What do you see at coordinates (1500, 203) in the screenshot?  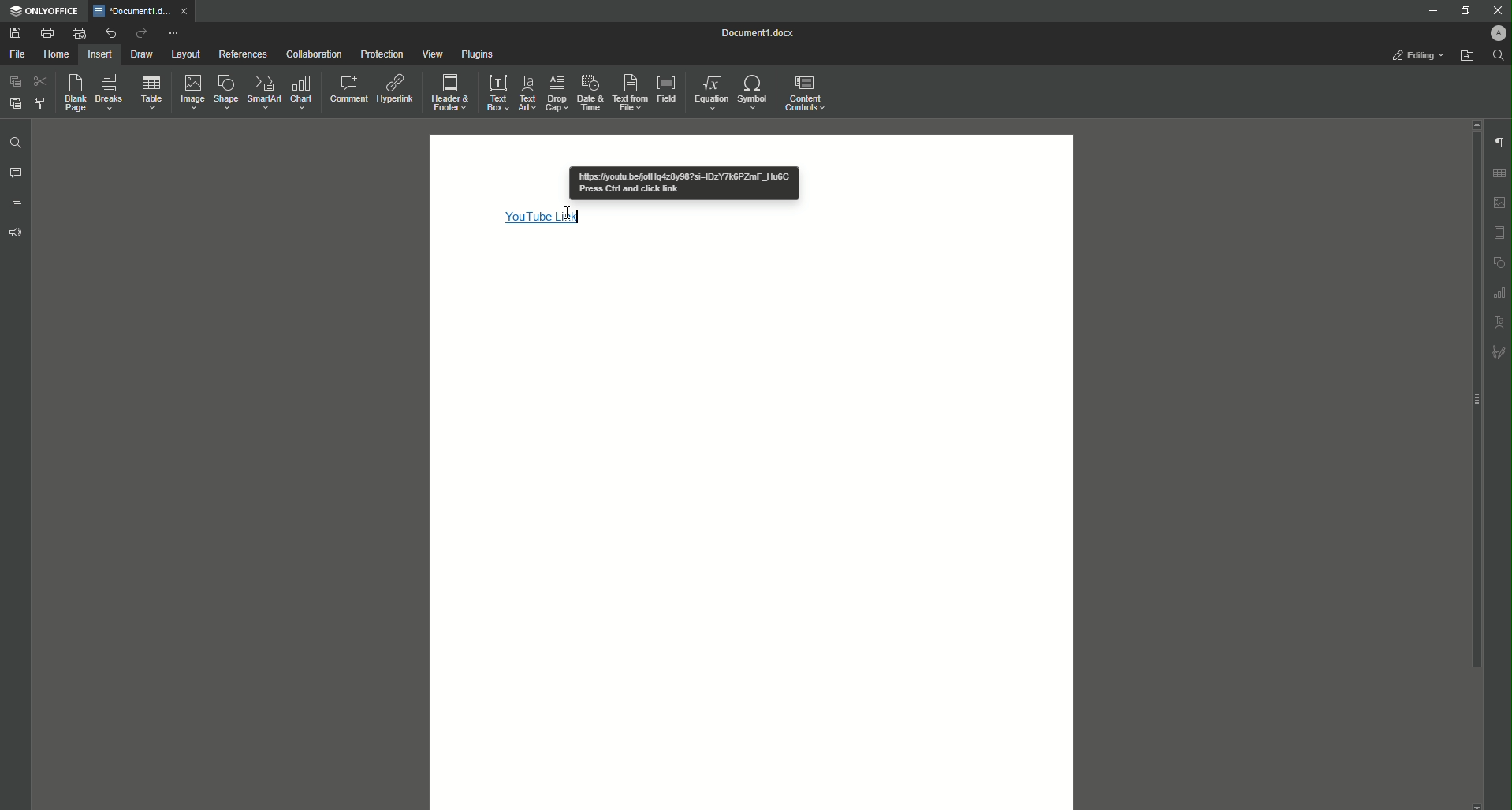 I see `Imgae settings` at bounding box center [1500, 203].